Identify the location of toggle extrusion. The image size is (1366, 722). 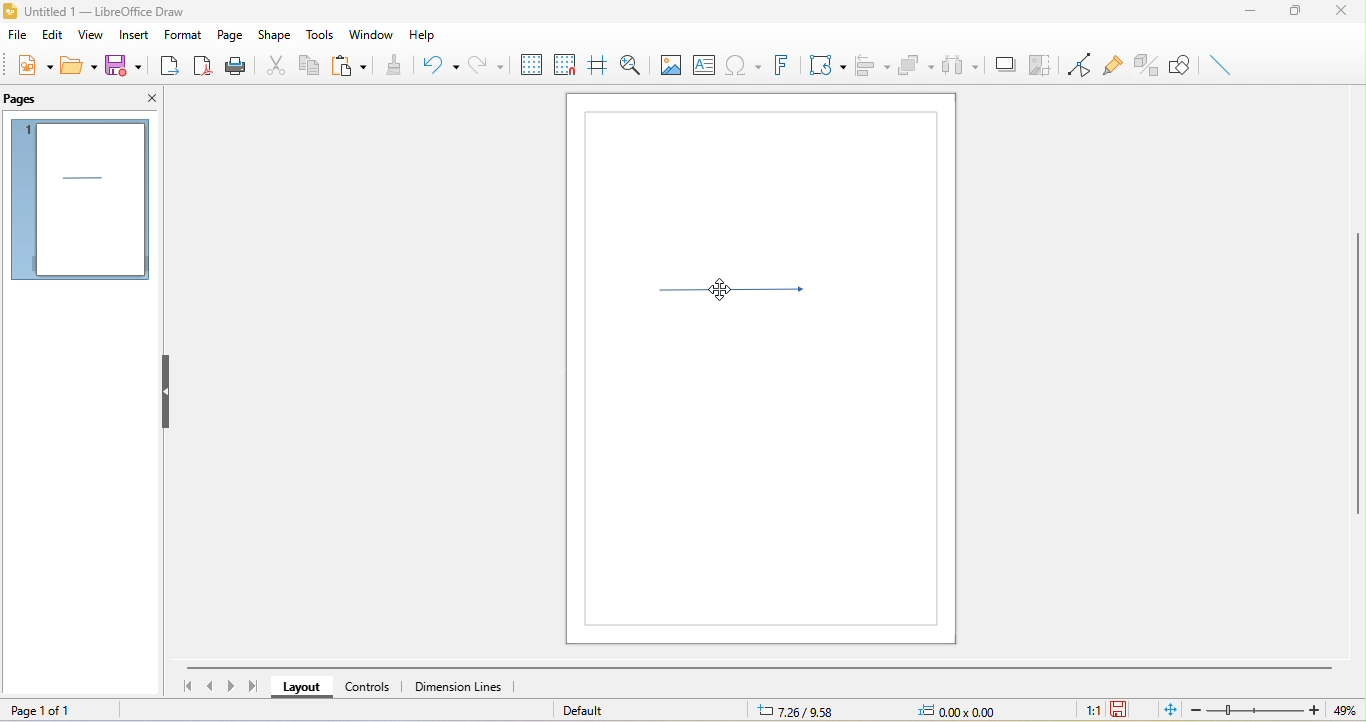
(1146, 65).